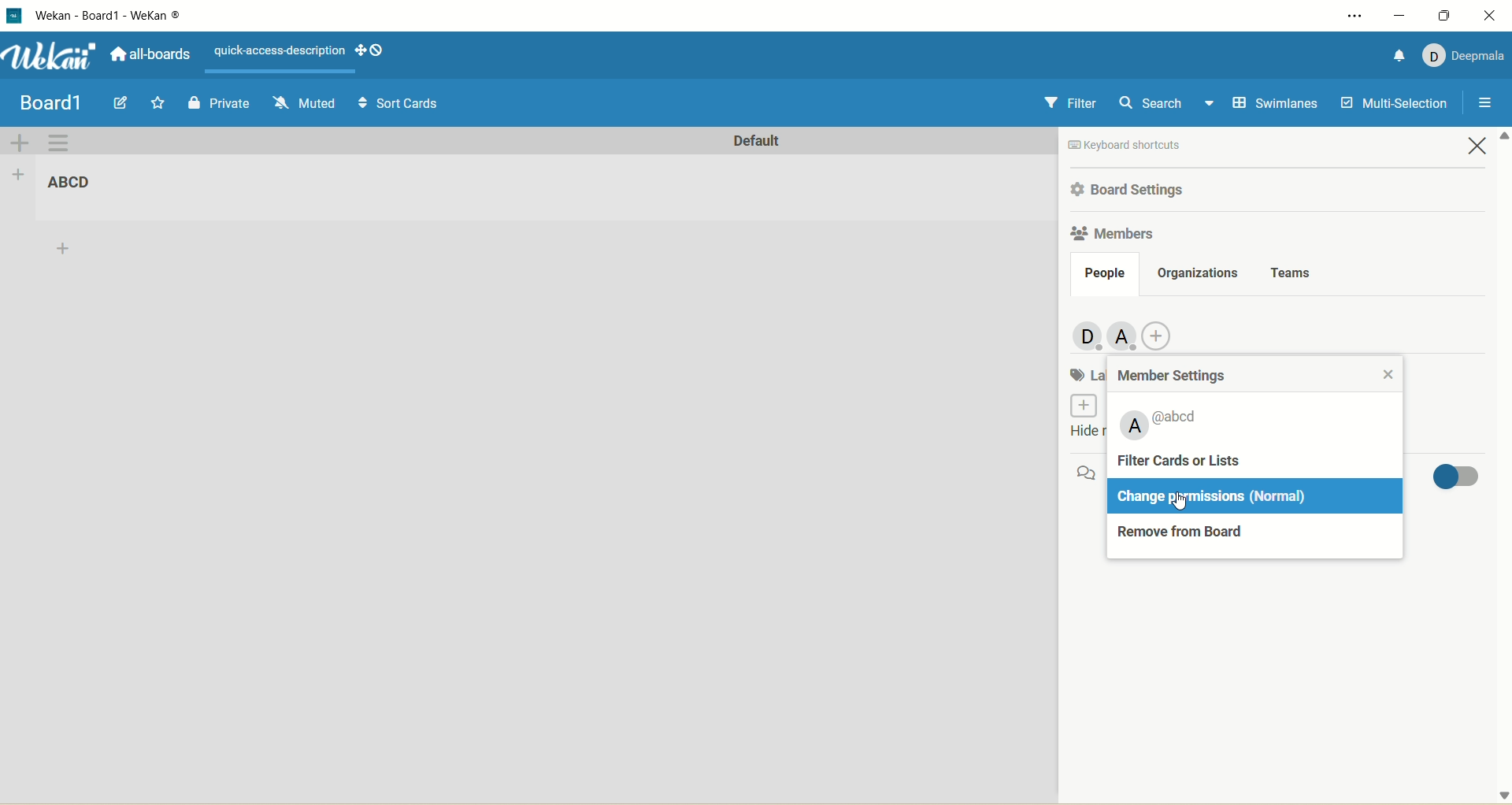  What do you see at coordinates (380, 50) in the screenshot?
I see `Show-desktop-drag-handles` at bounding box center [380, 50].